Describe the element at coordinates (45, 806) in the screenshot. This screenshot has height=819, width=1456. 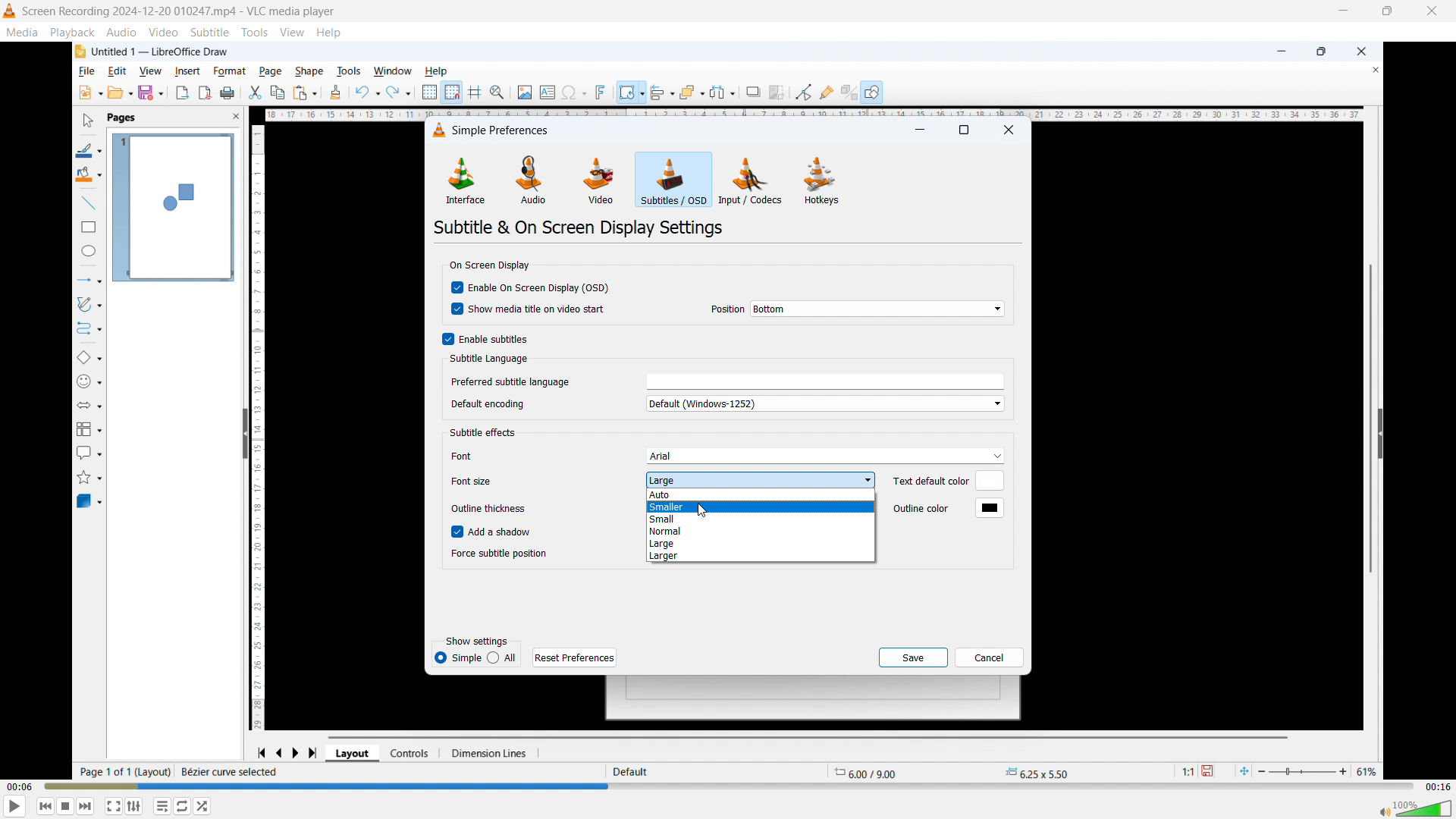
I see `Backward or previous media ` at that location.